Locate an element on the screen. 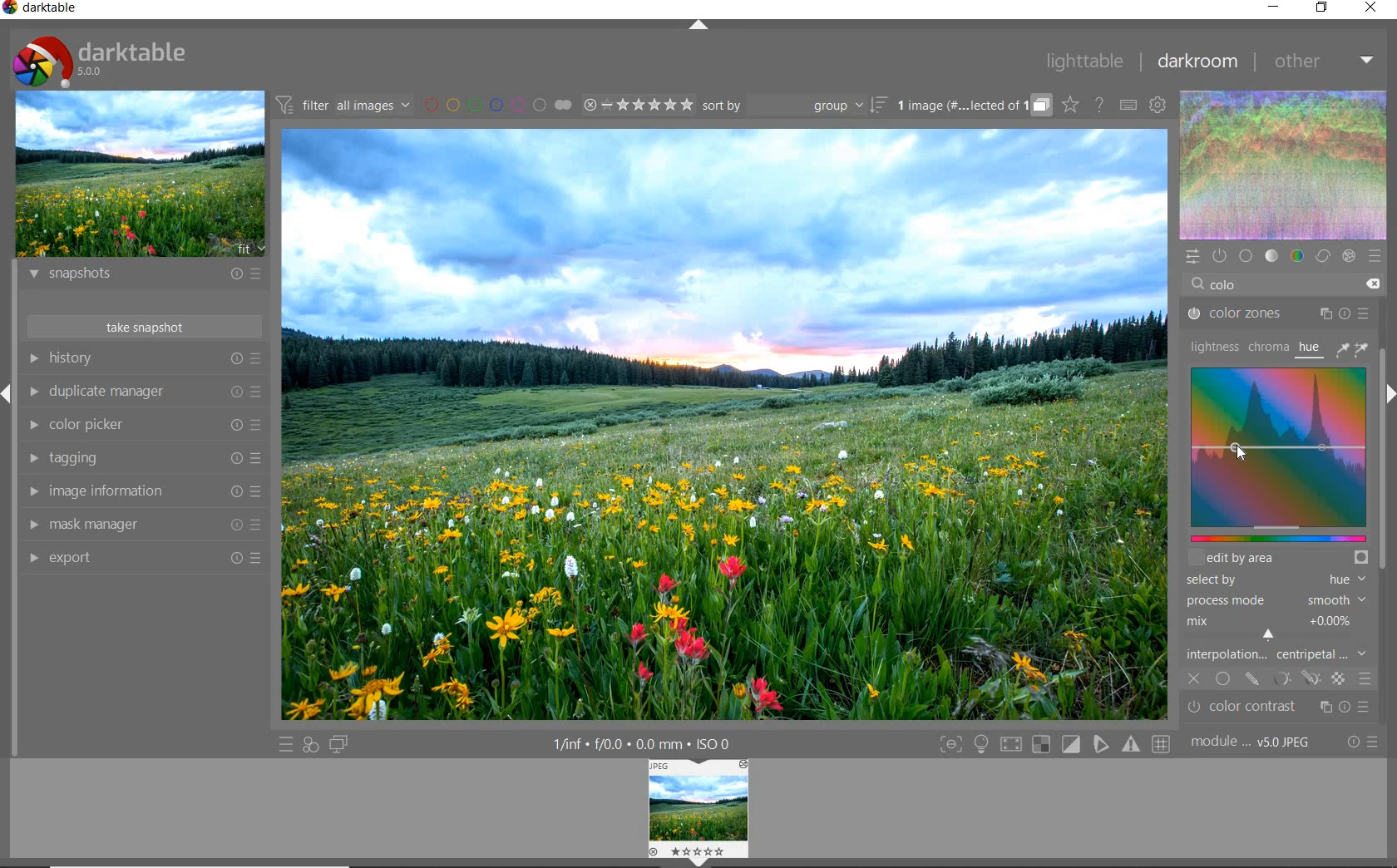 The width and height of the screenshot is (1397, 868). hue is located at coordinates (1311, 350).